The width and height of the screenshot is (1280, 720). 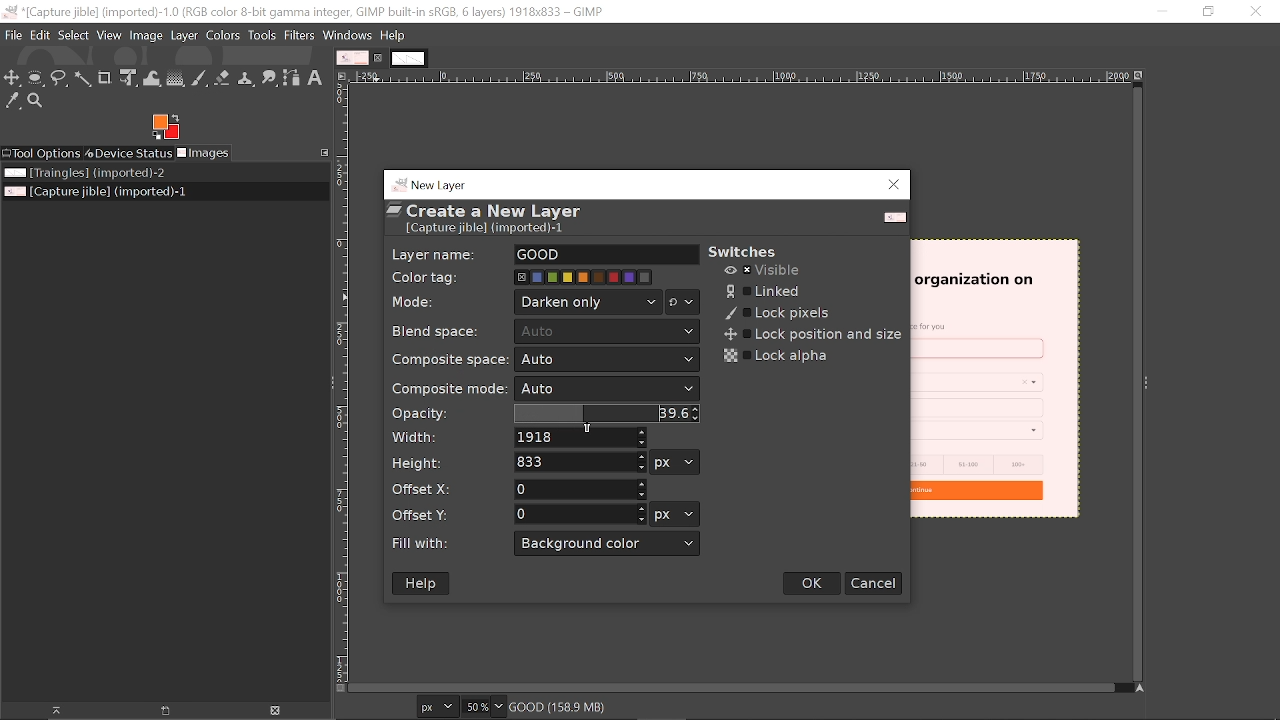 I want to click on Layer, so click(x=185, y=35).